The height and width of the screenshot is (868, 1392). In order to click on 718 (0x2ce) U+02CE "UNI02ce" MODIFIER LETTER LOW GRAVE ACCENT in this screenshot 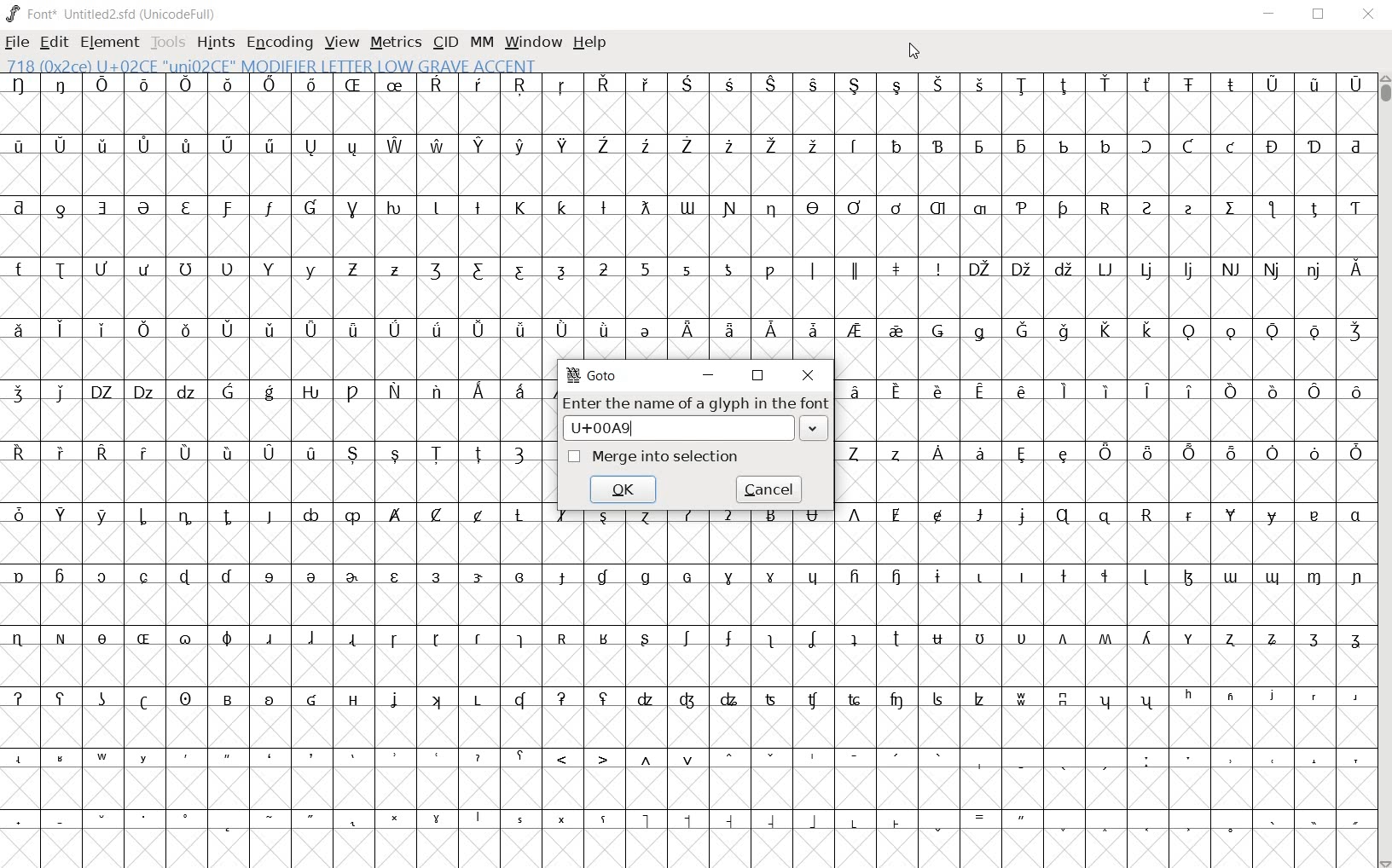, I will do `click(274, 66)`.